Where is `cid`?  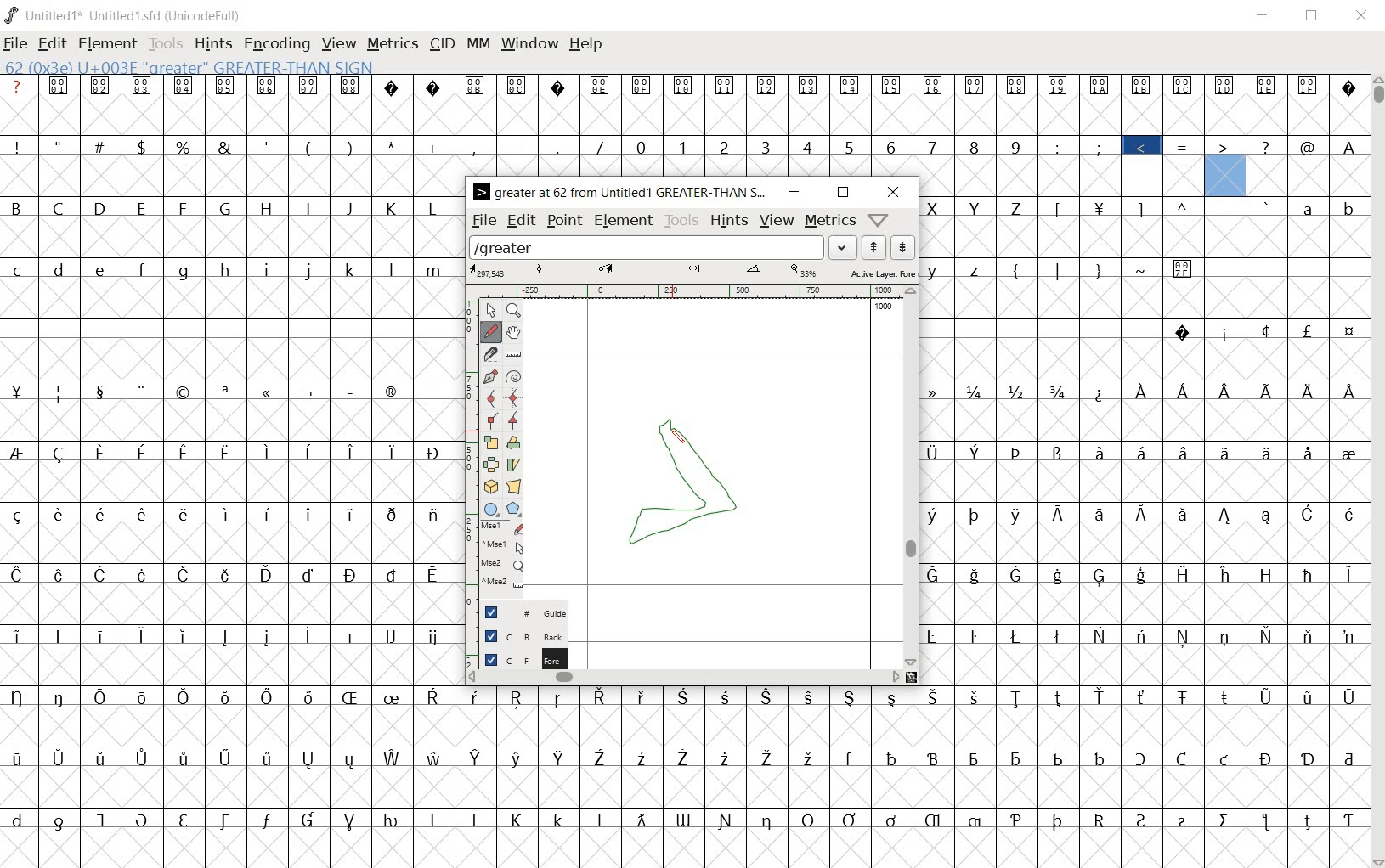 cid is located at coordinates (441, 42).